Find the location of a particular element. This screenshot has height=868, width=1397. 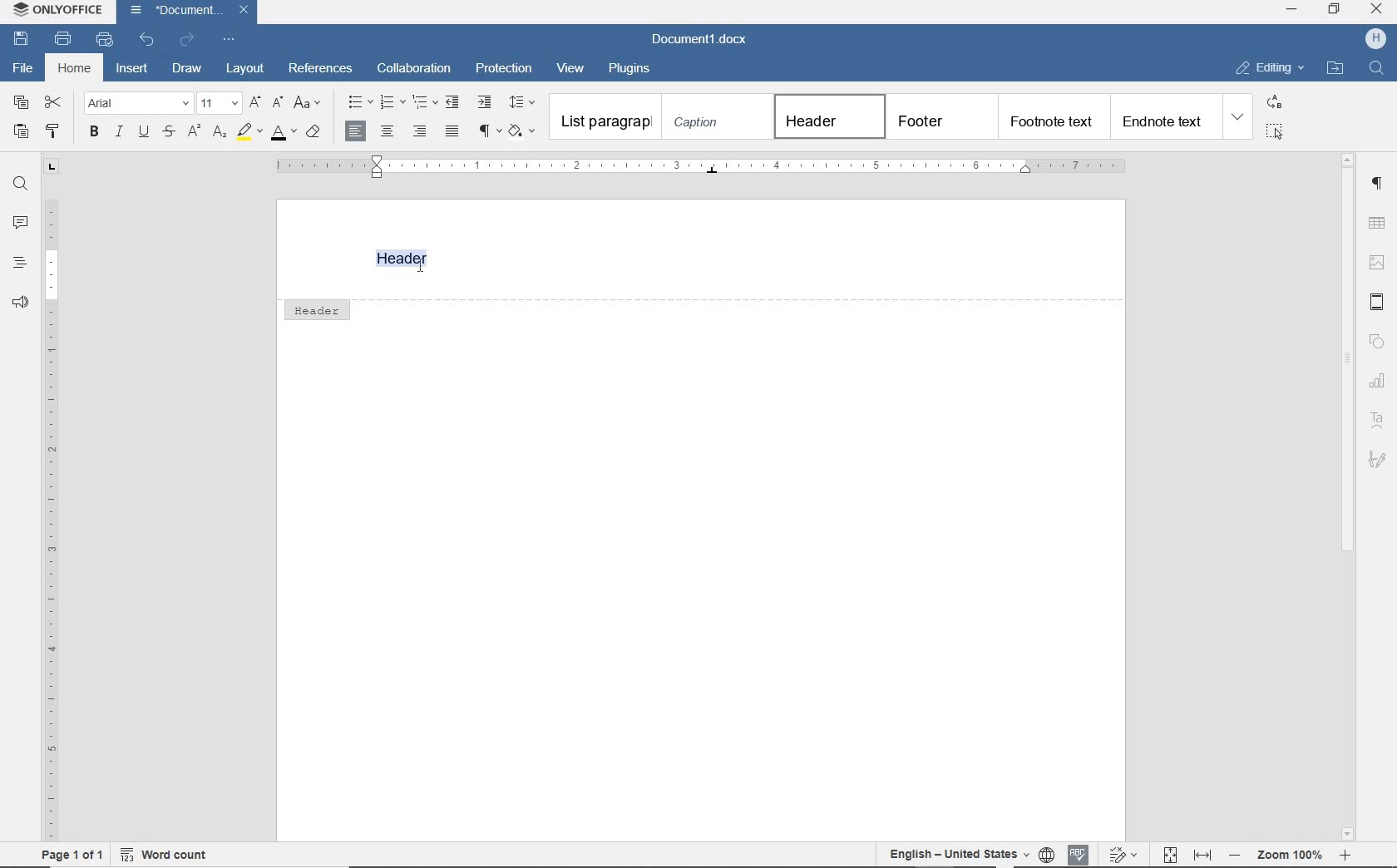

Increase  is located at coordinates (1345, 855).